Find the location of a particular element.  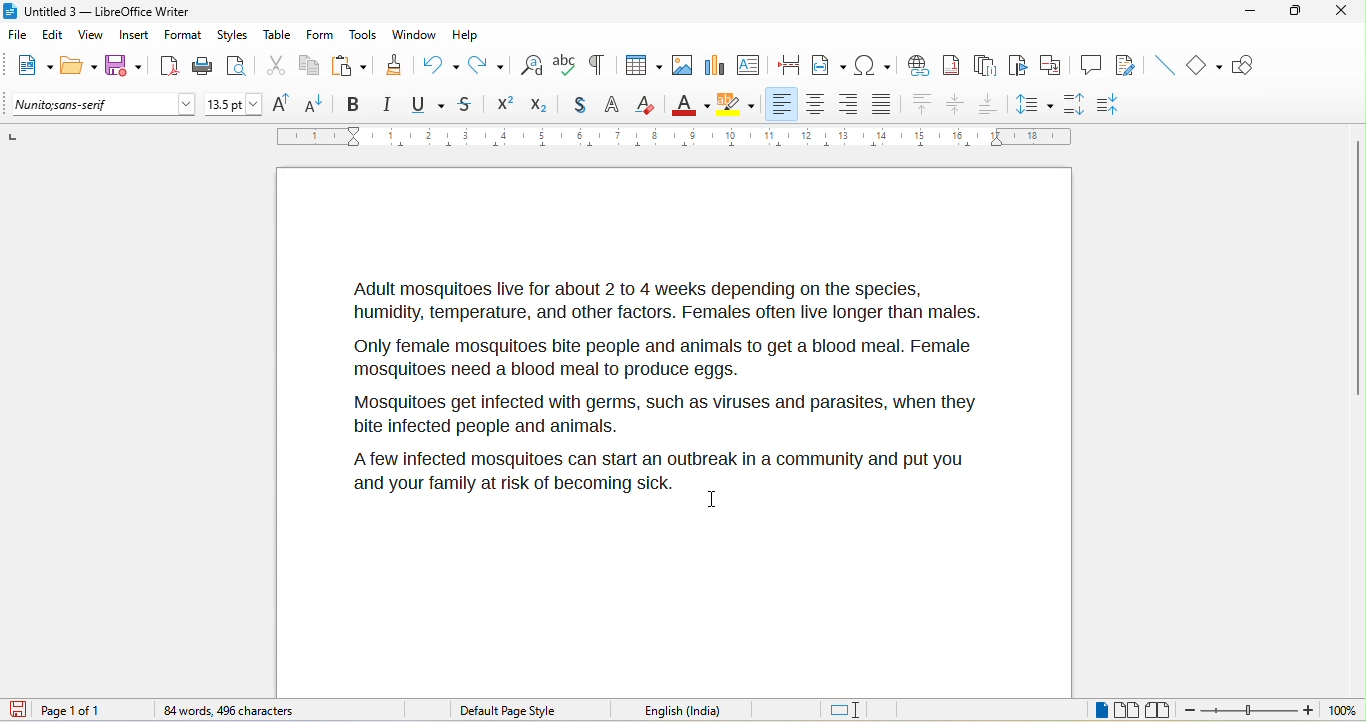

insert line is located at coordinates (1163, 65).